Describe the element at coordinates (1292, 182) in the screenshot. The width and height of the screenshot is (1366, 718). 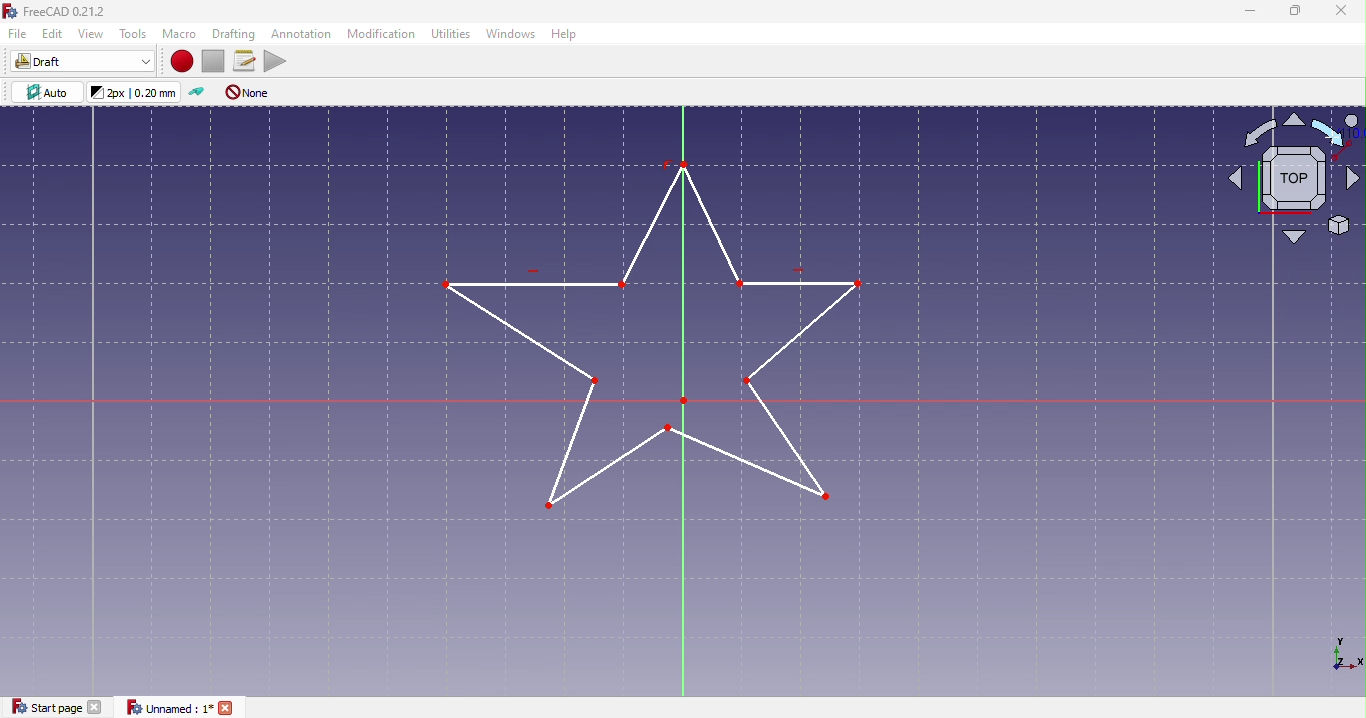
I see `Navigation cube` at that location.